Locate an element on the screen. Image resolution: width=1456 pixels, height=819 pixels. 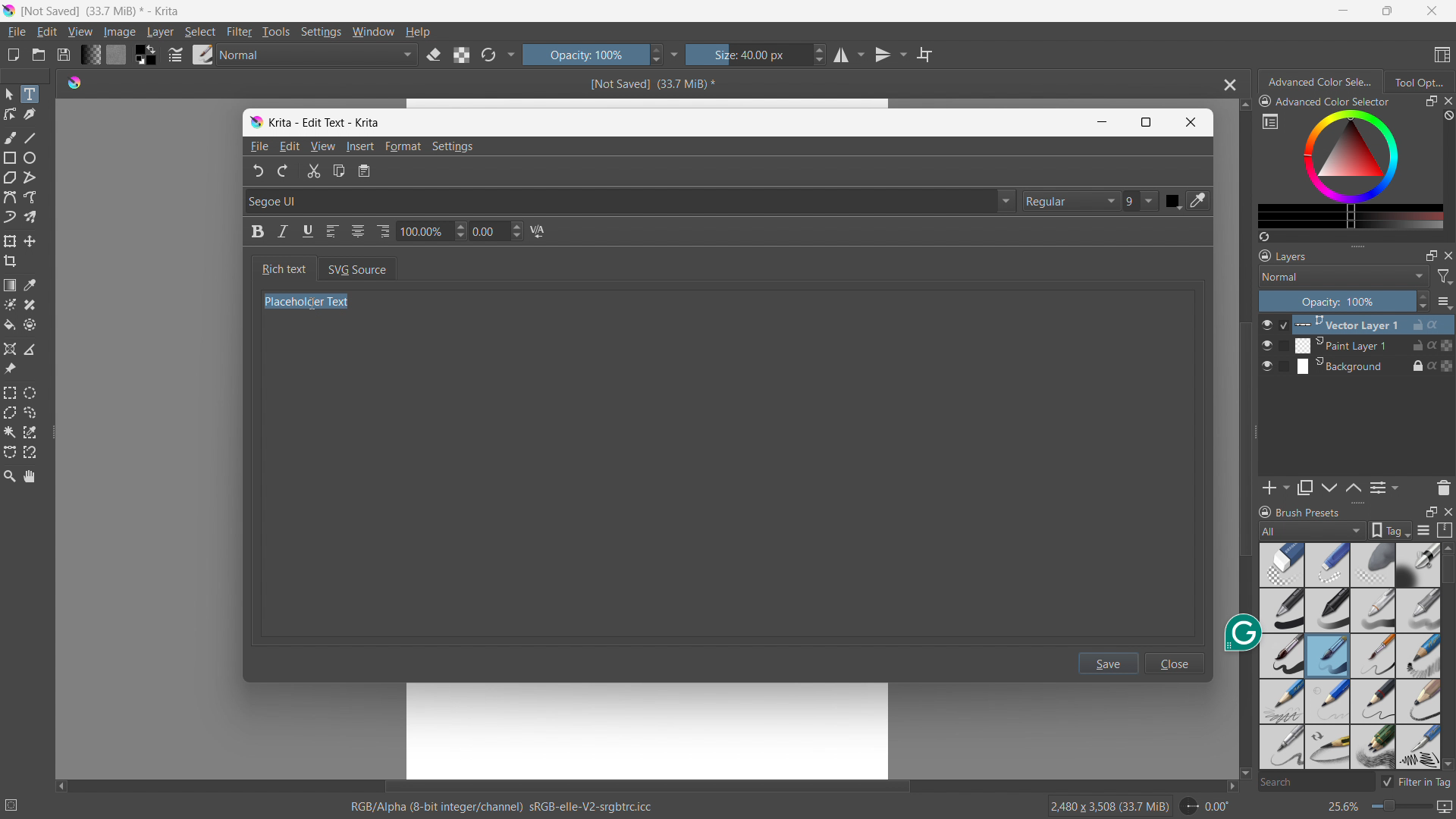
small tip pencil is located at coordinates (1374, 701).